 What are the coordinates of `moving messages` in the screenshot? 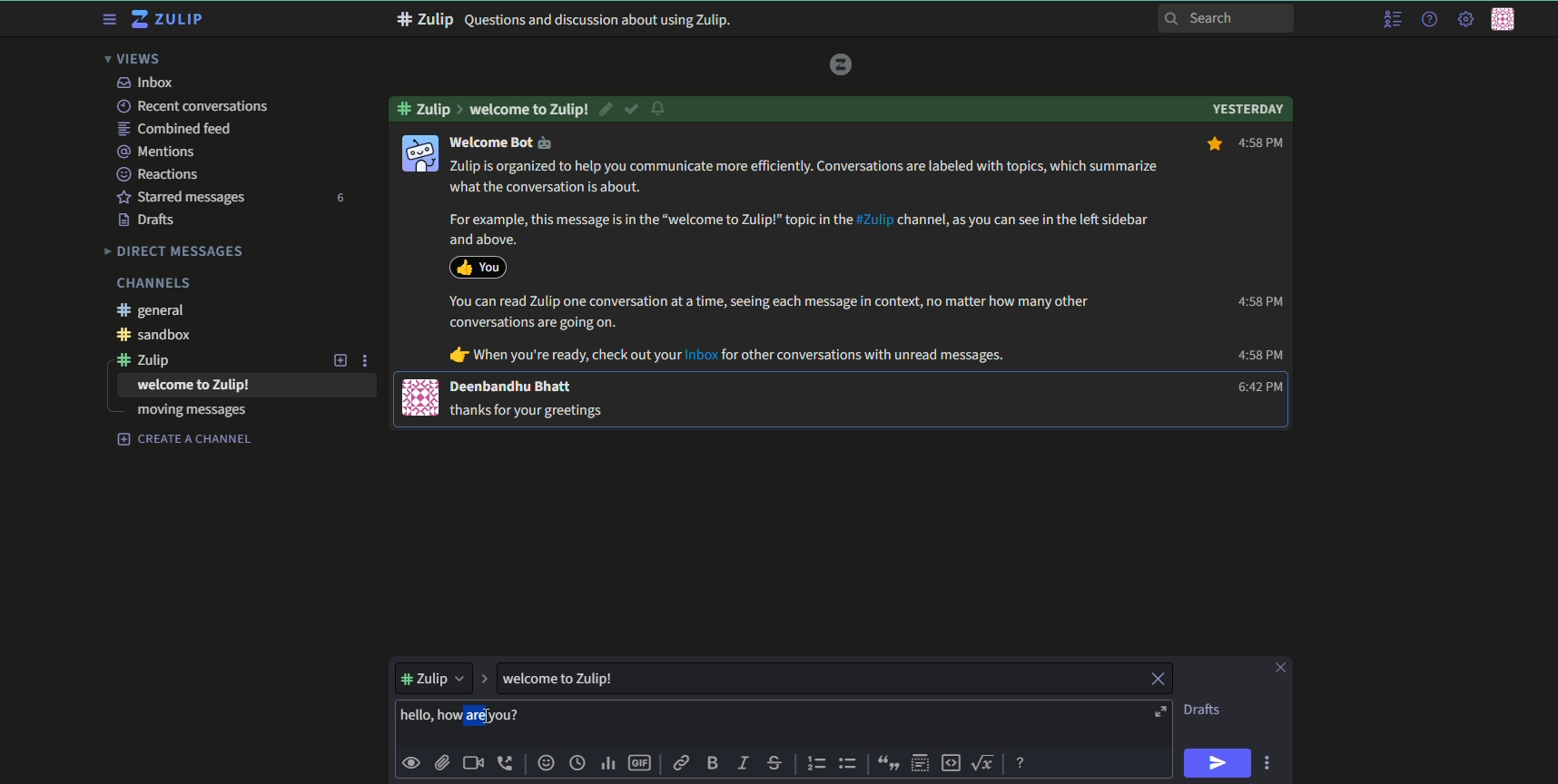 It's located at (192, 412).